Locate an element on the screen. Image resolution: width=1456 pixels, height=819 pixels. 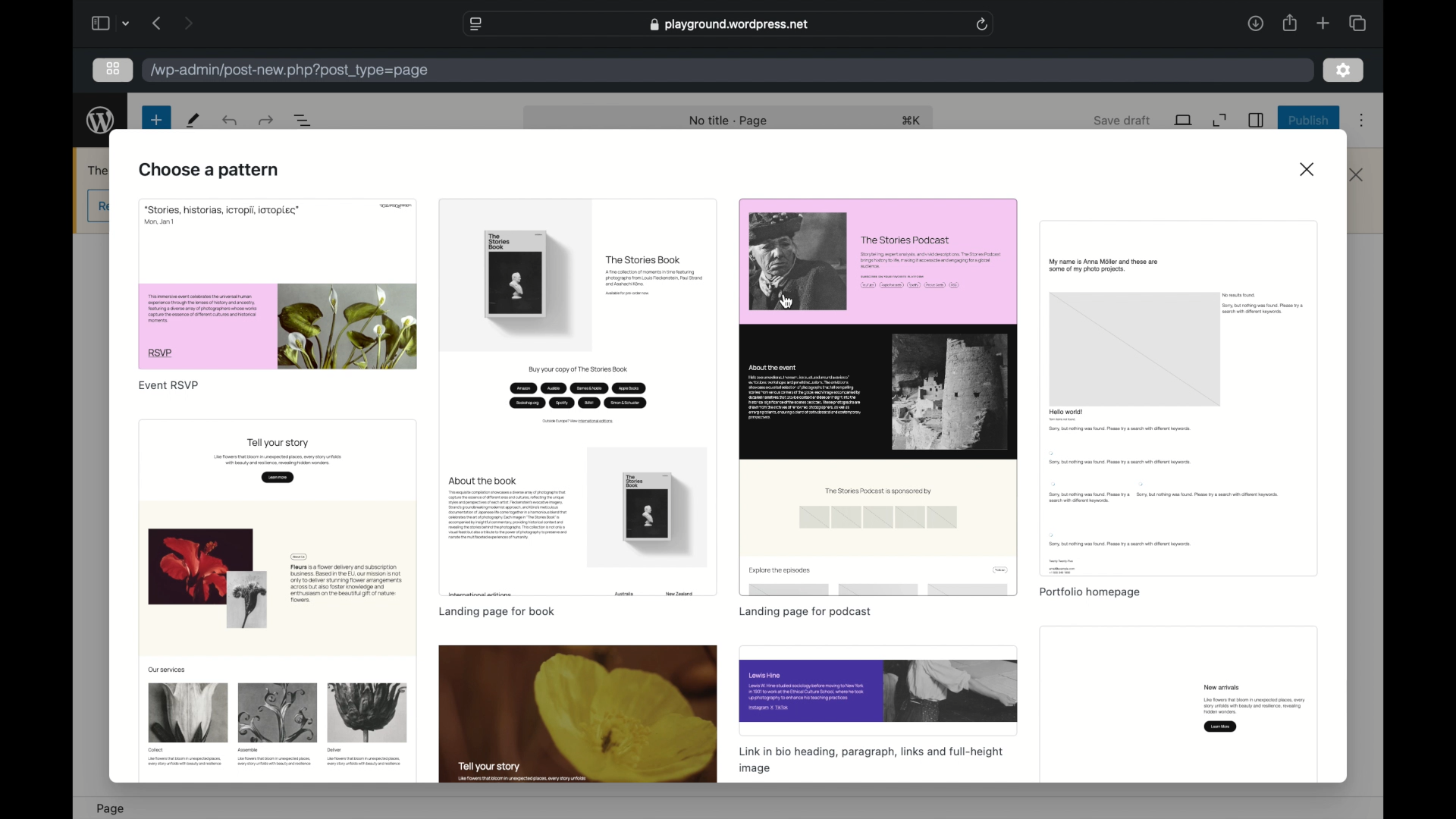
website settings is located at coordinates (478, 24).